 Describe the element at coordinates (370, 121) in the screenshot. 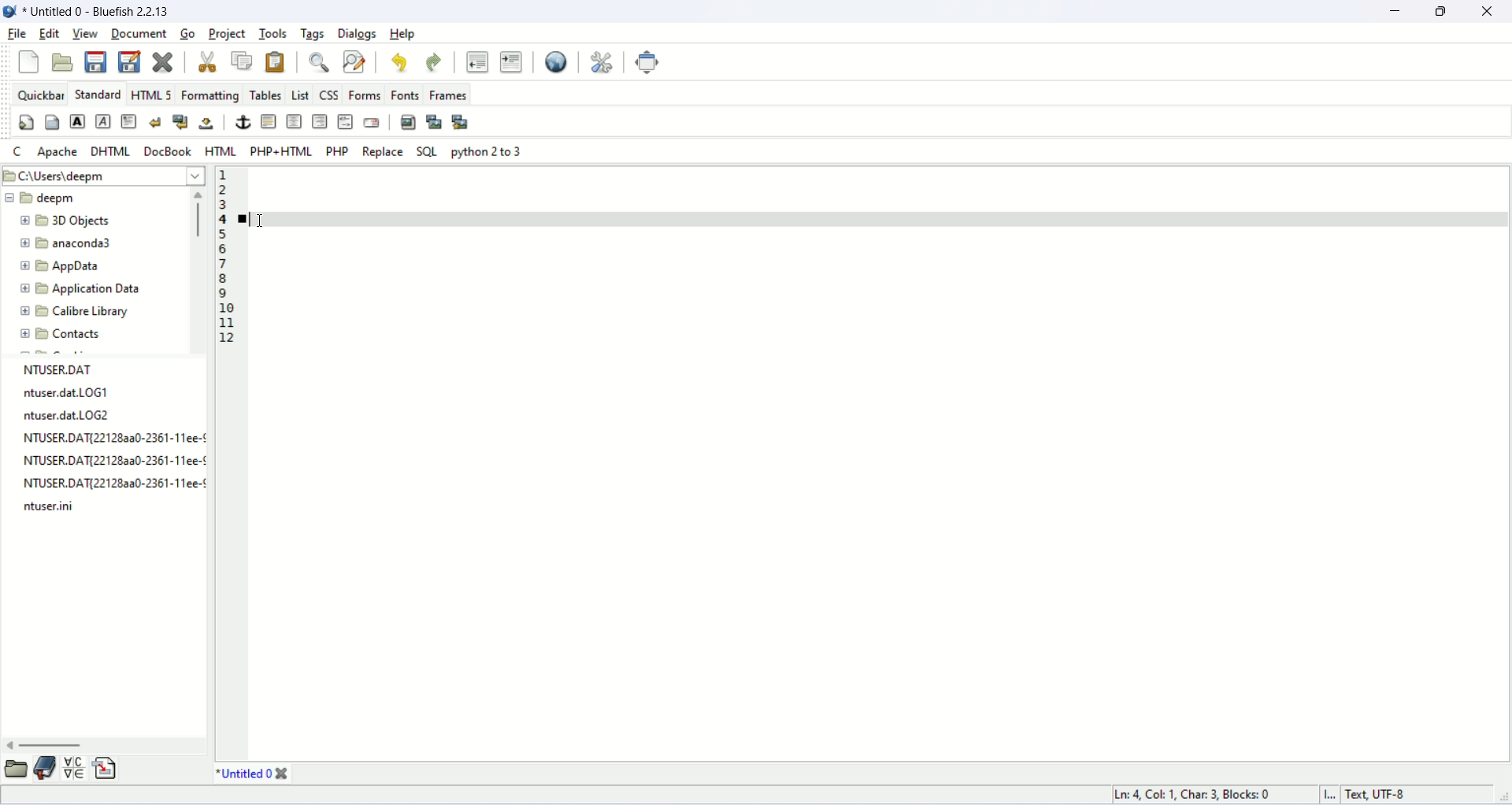

I see `email` at that location.